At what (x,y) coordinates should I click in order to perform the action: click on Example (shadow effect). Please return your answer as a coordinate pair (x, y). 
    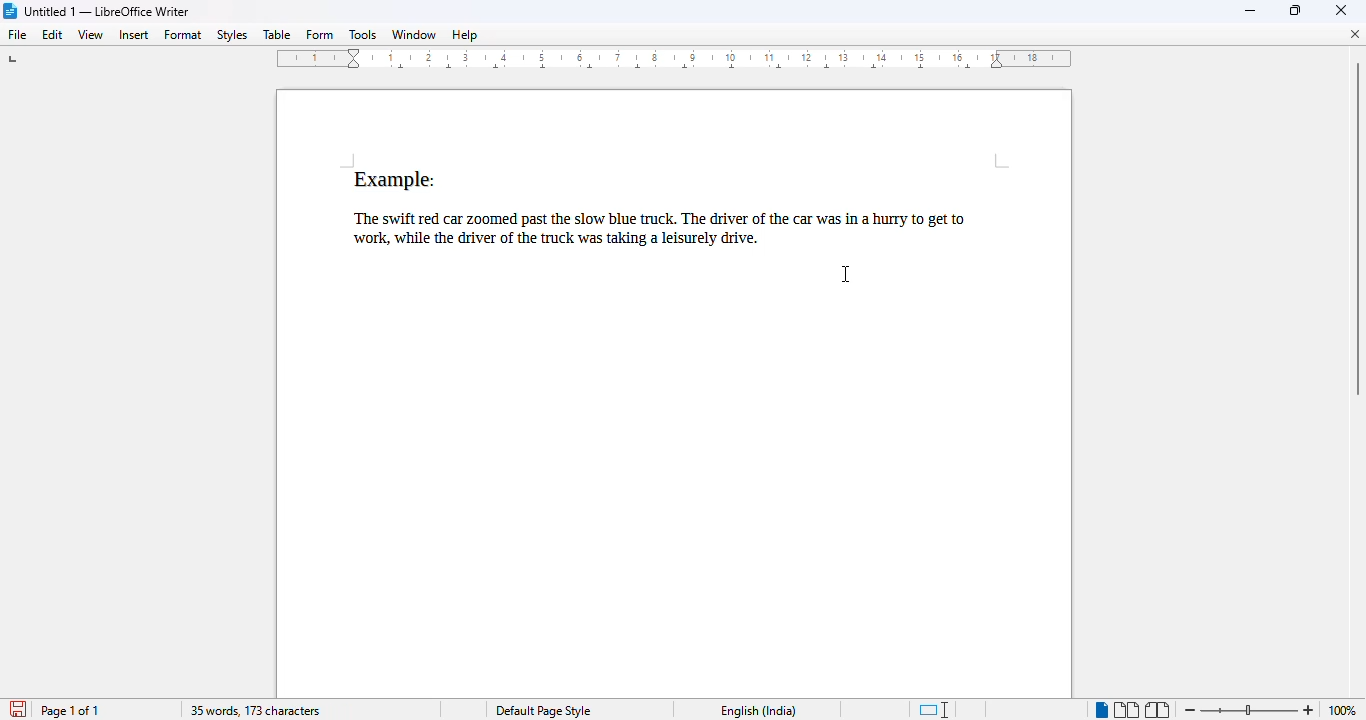
    Looking at the image, I should click on (399, 176).